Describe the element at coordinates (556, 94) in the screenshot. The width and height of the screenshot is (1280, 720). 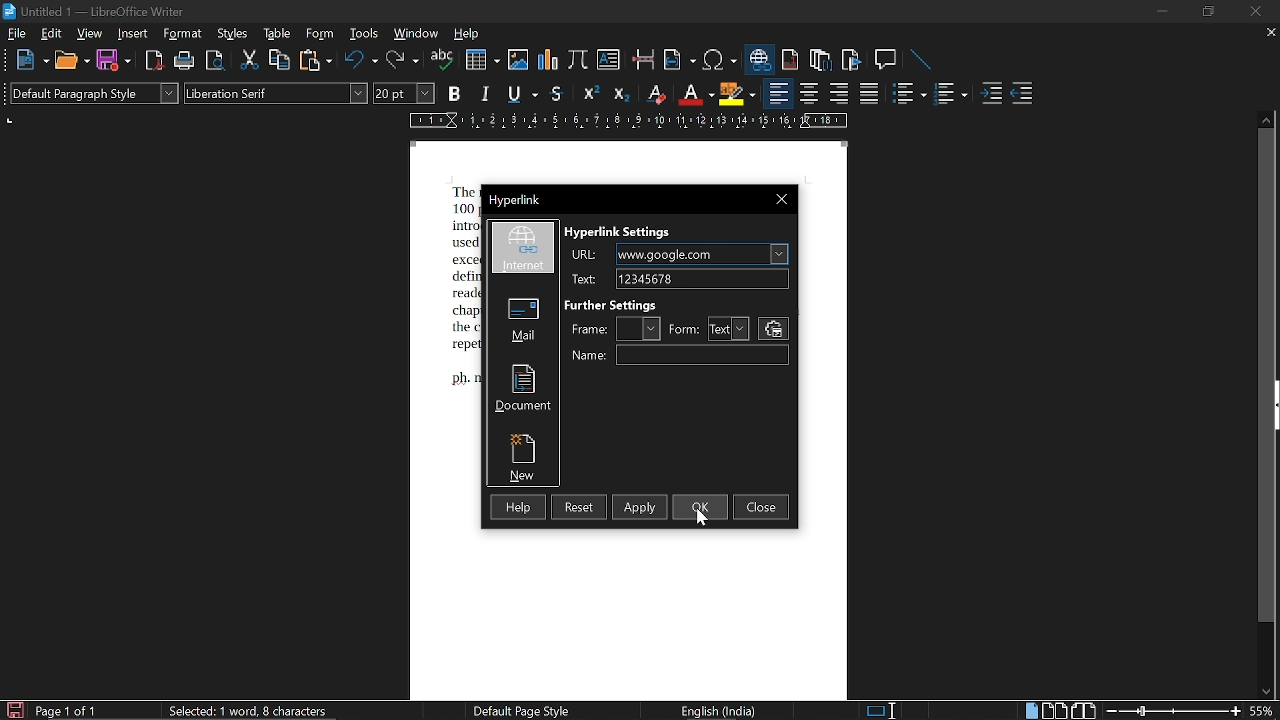
I see `strikethrough` at that location.